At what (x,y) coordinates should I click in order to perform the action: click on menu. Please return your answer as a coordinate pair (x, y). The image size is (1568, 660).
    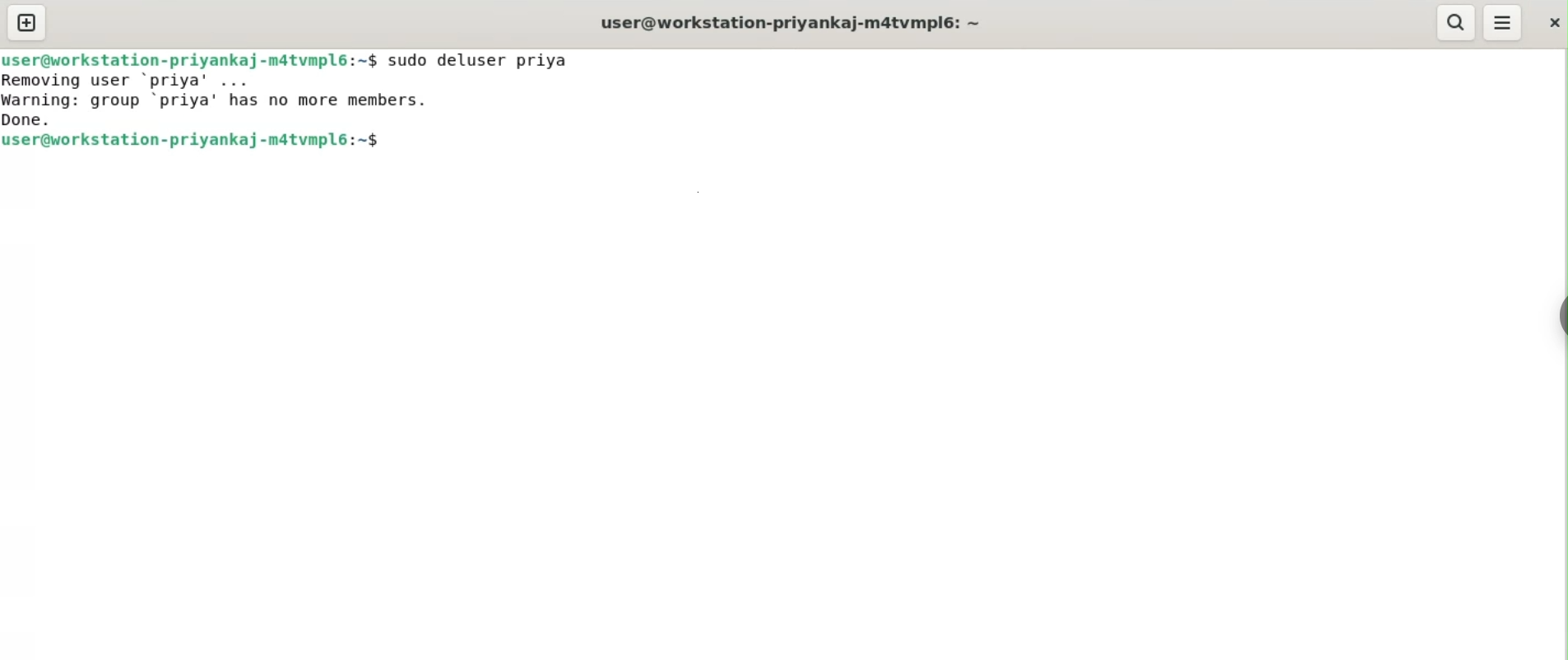
    Looking at the image, I should click on (1503, 23).